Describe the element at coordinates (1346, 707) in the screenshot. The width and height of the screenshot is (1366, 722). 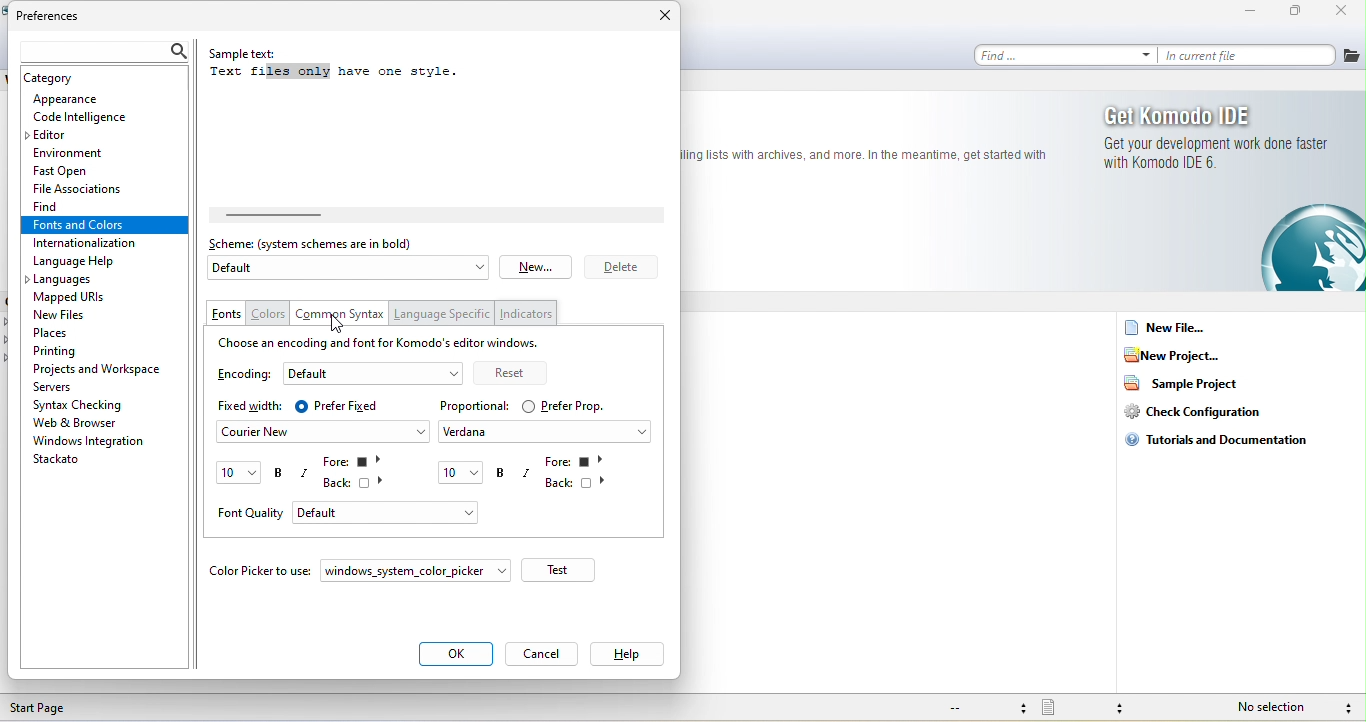
I see `syntax checking` at that location.